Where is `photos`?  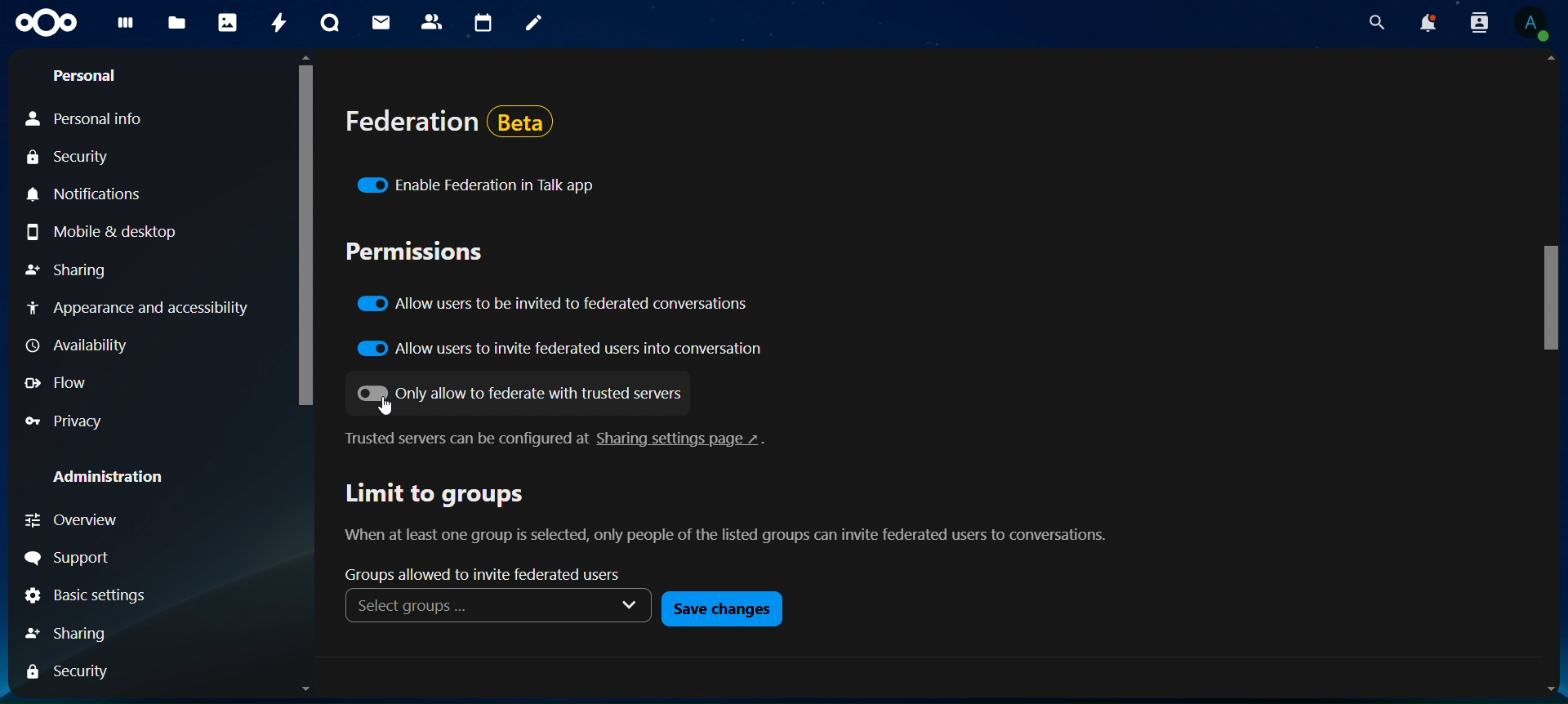
photos is located at coordinates (229, 23).